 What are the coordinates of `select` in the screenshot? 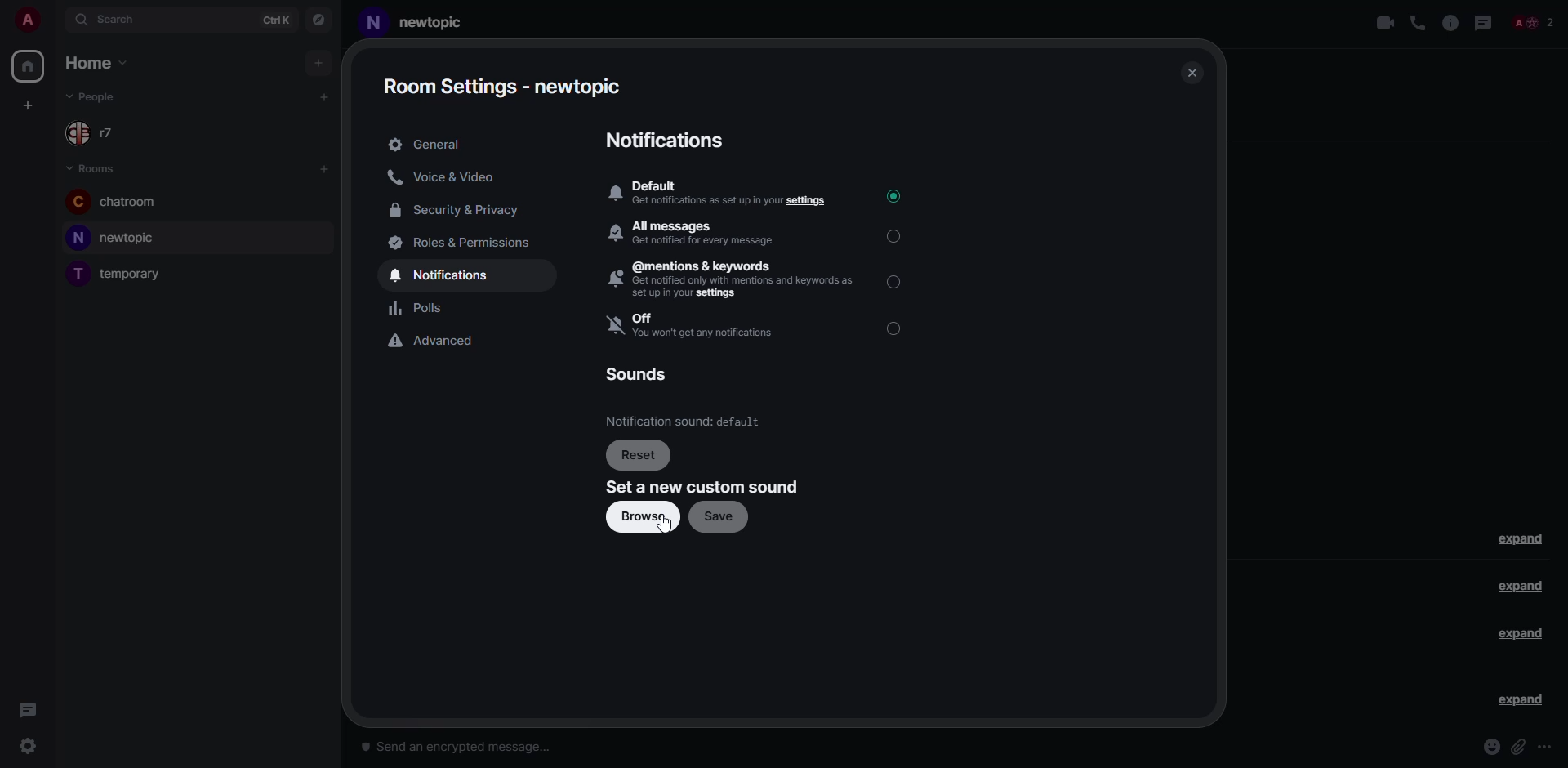 It's located at (896, 280).